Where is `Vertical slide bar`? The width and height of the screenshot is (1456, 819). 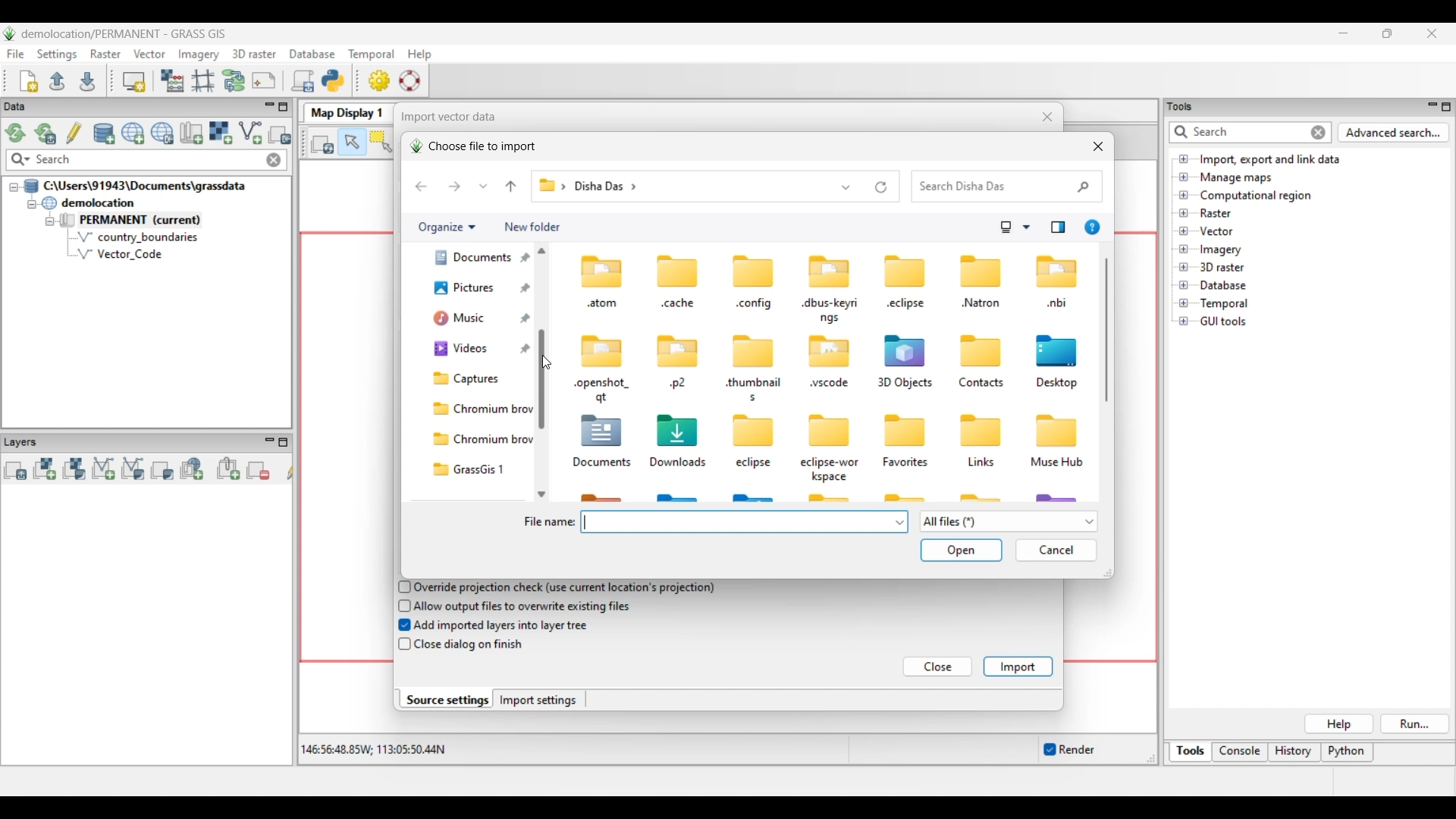 Vertical slide bar is located at coordinates (1106, 330).